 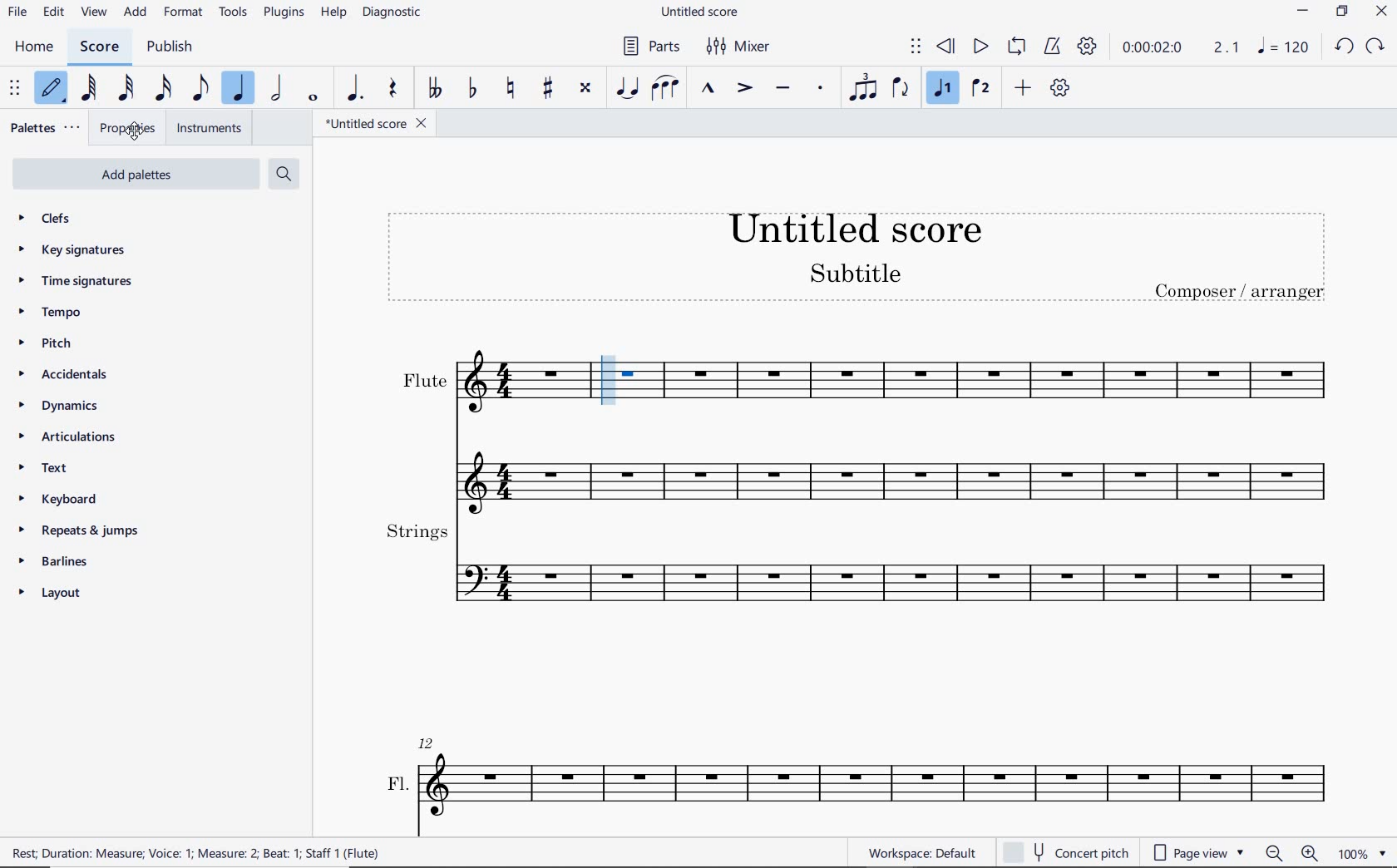 I want to click on REST, so click(x=391, y=90).